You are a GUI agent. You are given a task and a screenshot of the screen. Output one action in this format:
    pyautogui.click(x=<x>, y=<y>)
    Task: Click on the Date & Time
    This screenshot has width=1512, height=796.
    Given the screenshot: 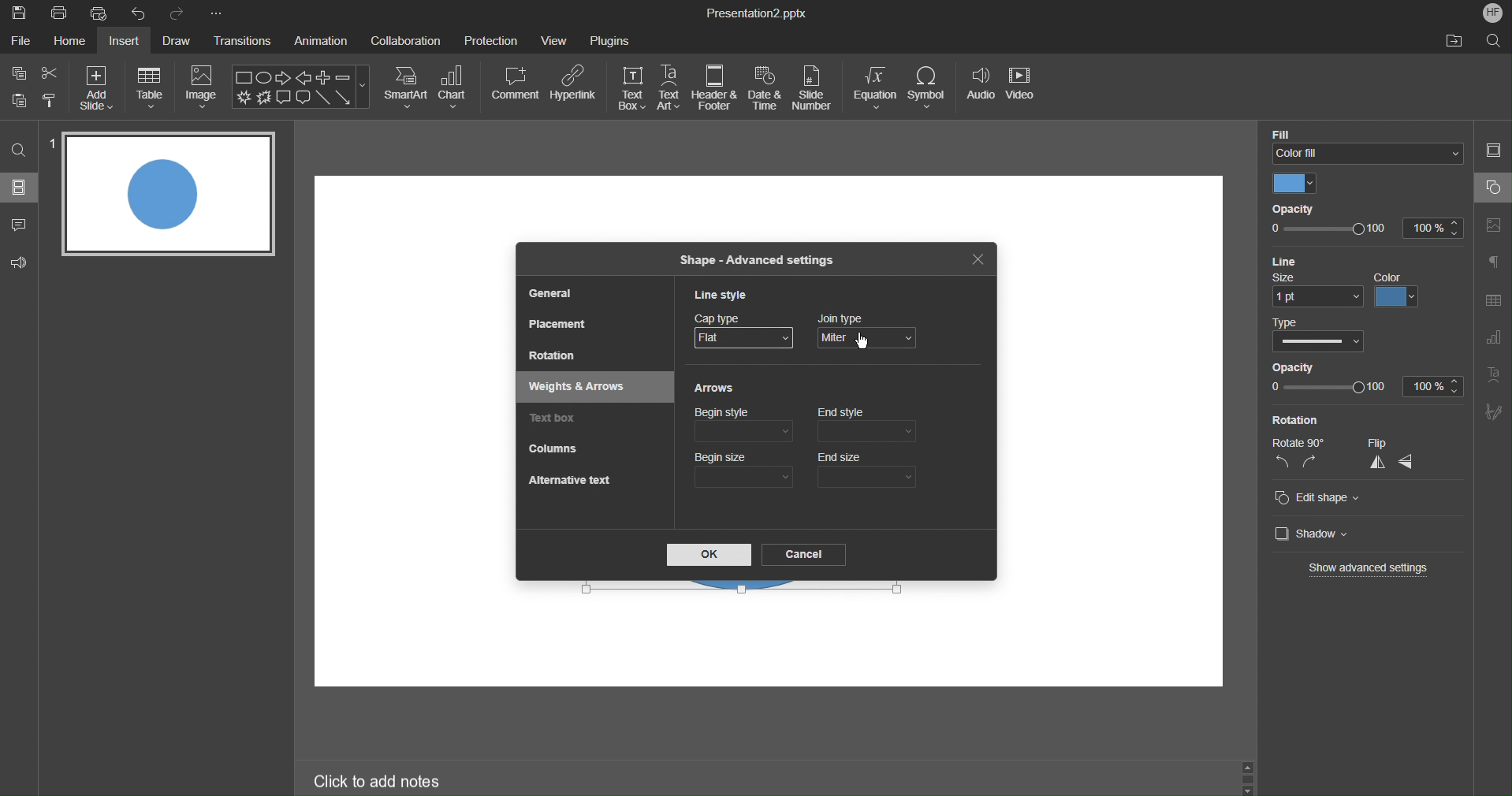 What is the action you would take?
    pyautogui.click(x=765, y=88)
    